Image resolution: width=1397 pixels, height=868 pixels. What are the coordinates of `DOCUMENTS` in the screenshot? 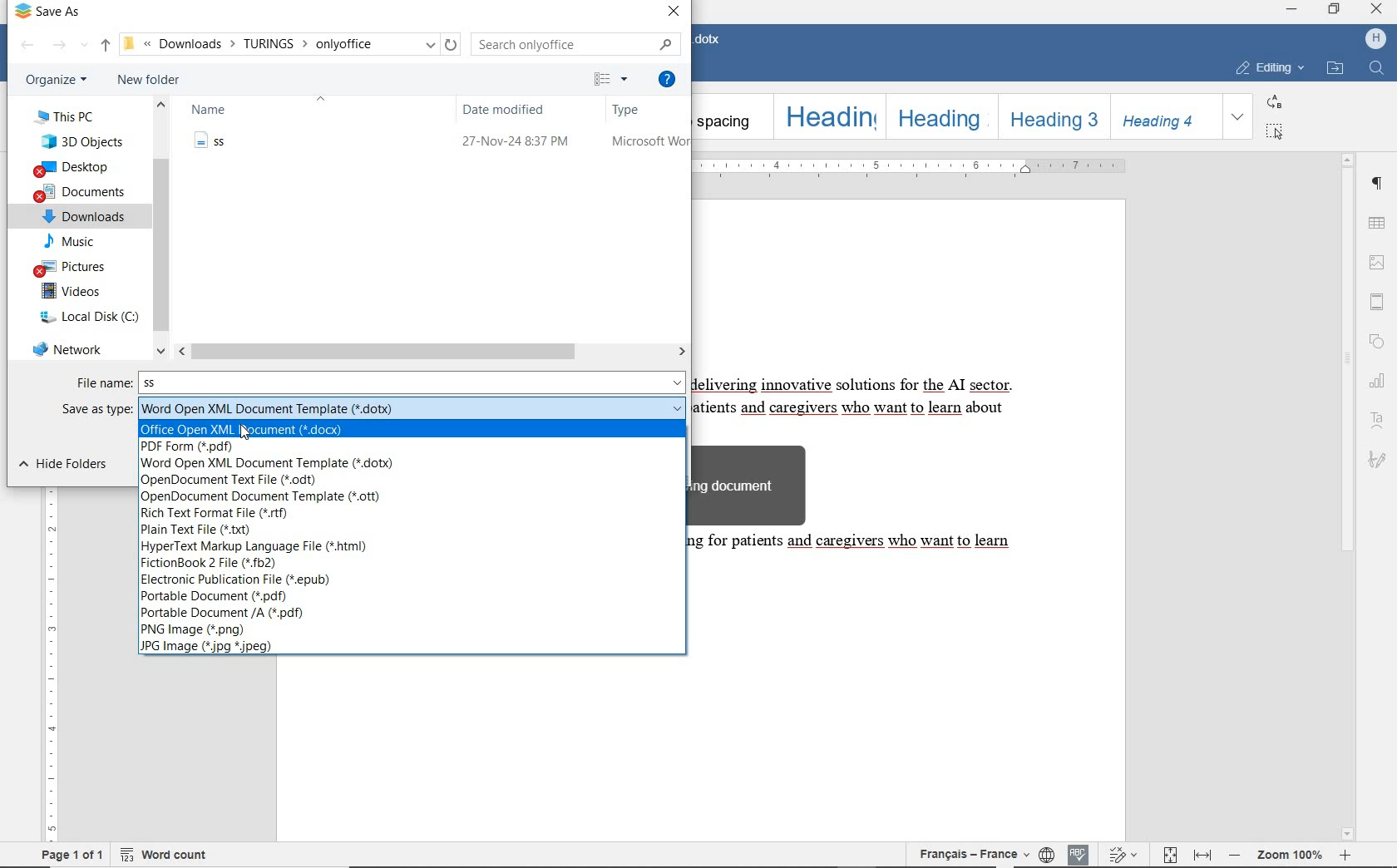 It's located at (81, 193).